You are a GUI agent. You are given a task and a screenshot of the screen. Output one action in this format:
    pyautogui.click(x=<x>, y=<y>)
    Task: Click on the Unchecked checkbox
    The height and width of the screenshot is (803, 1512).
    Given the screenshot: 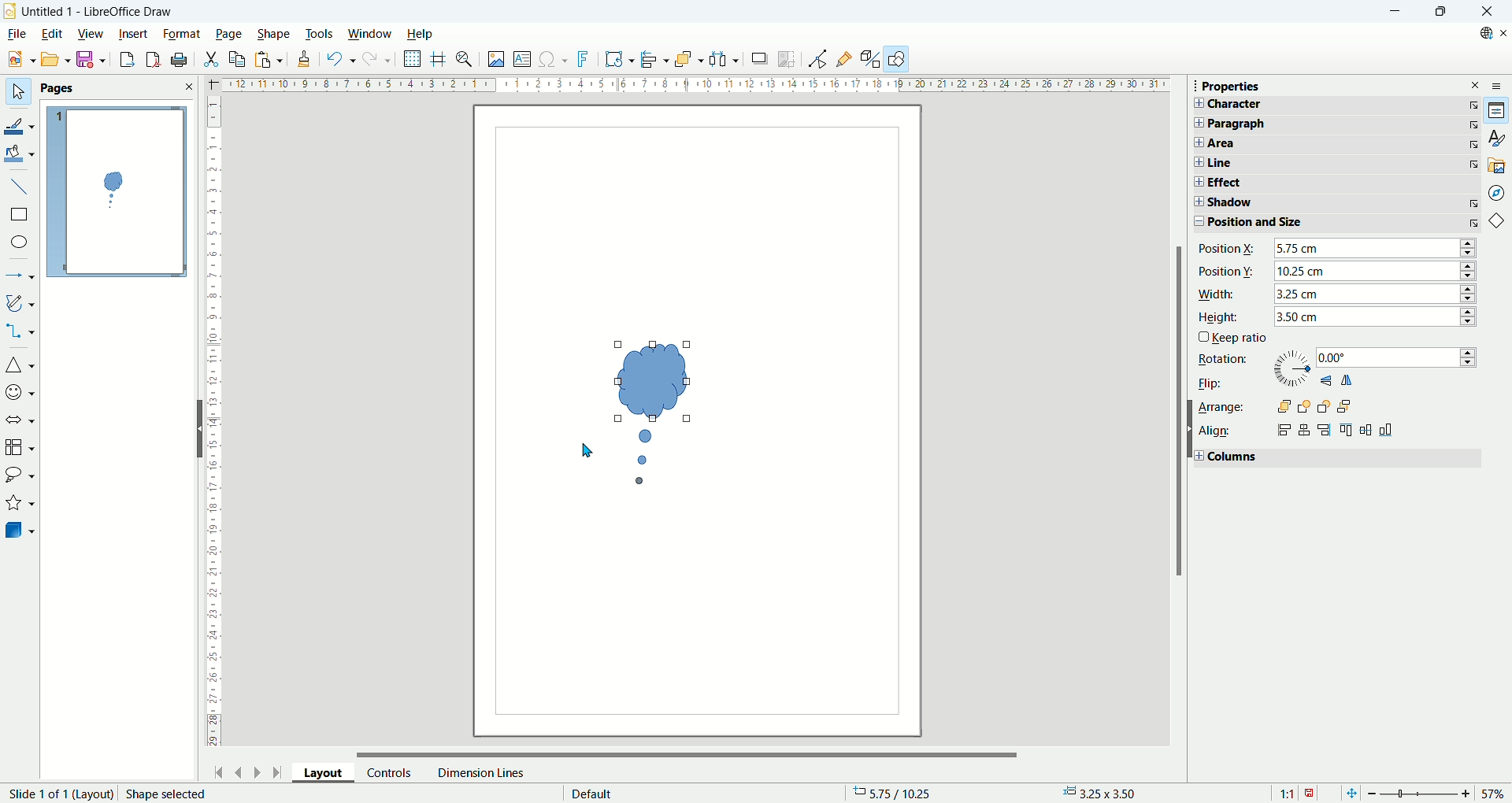 What is the action you would take?
    pyautogui.click(x=1203, y=337)
    